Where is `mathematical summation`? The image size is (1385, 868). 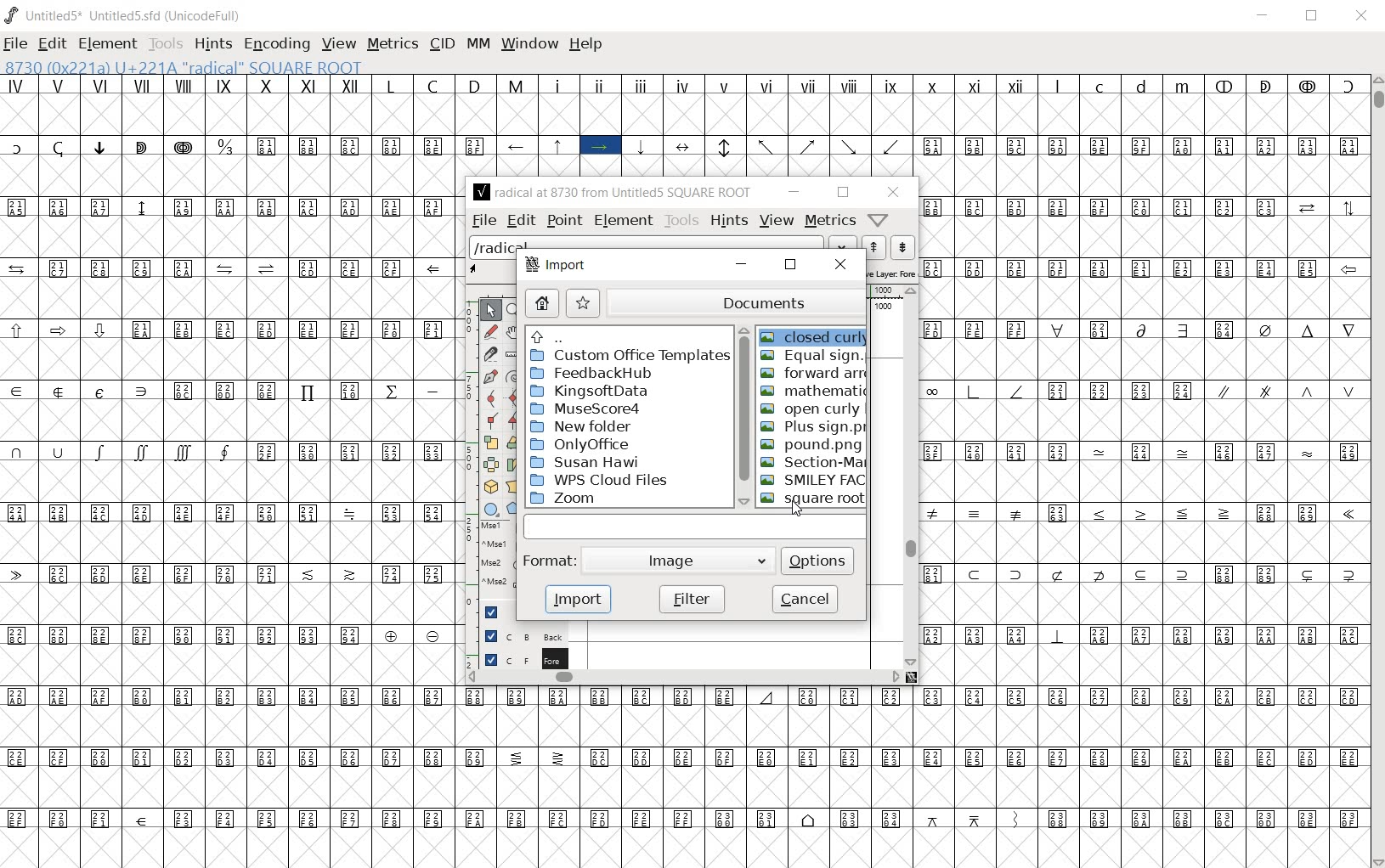
mathematical summation is located at coordinates (813, 390).